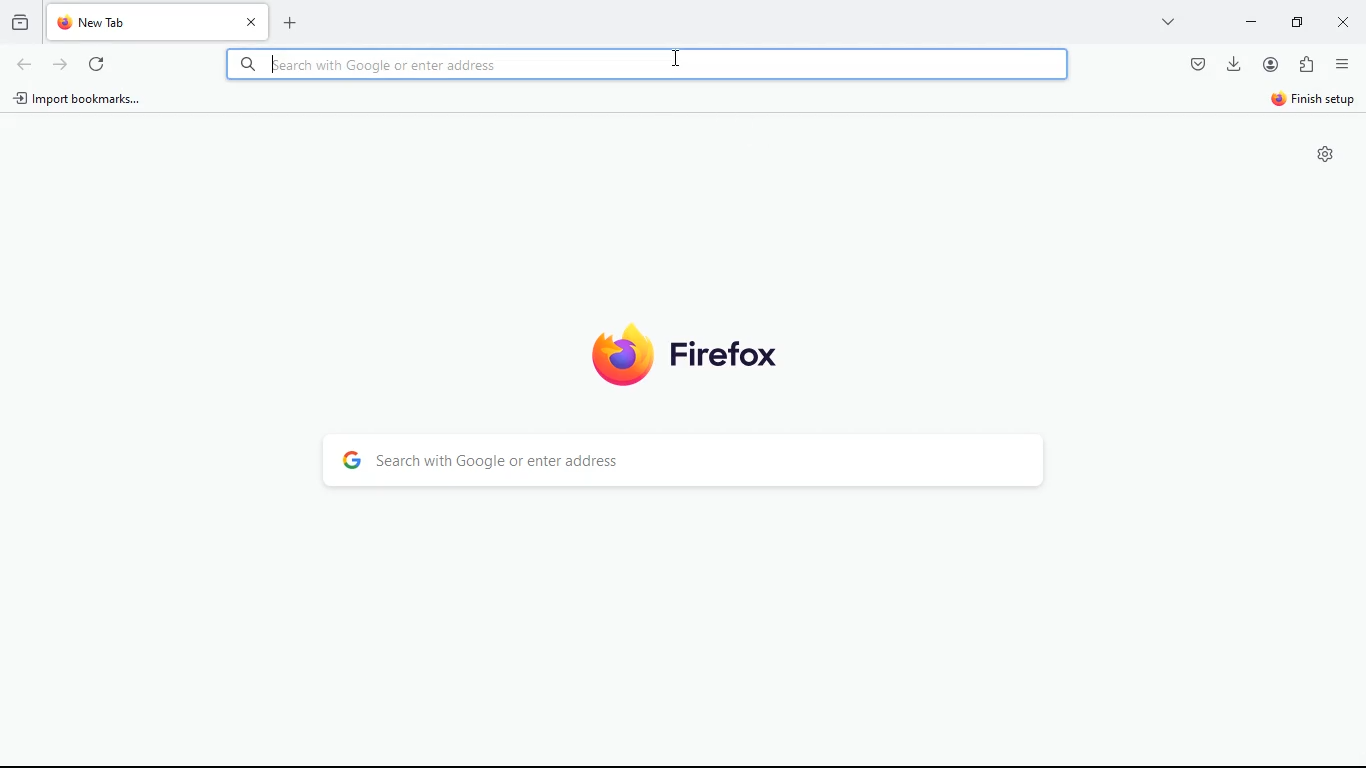  I want to click on refresh, so click(100, 64).